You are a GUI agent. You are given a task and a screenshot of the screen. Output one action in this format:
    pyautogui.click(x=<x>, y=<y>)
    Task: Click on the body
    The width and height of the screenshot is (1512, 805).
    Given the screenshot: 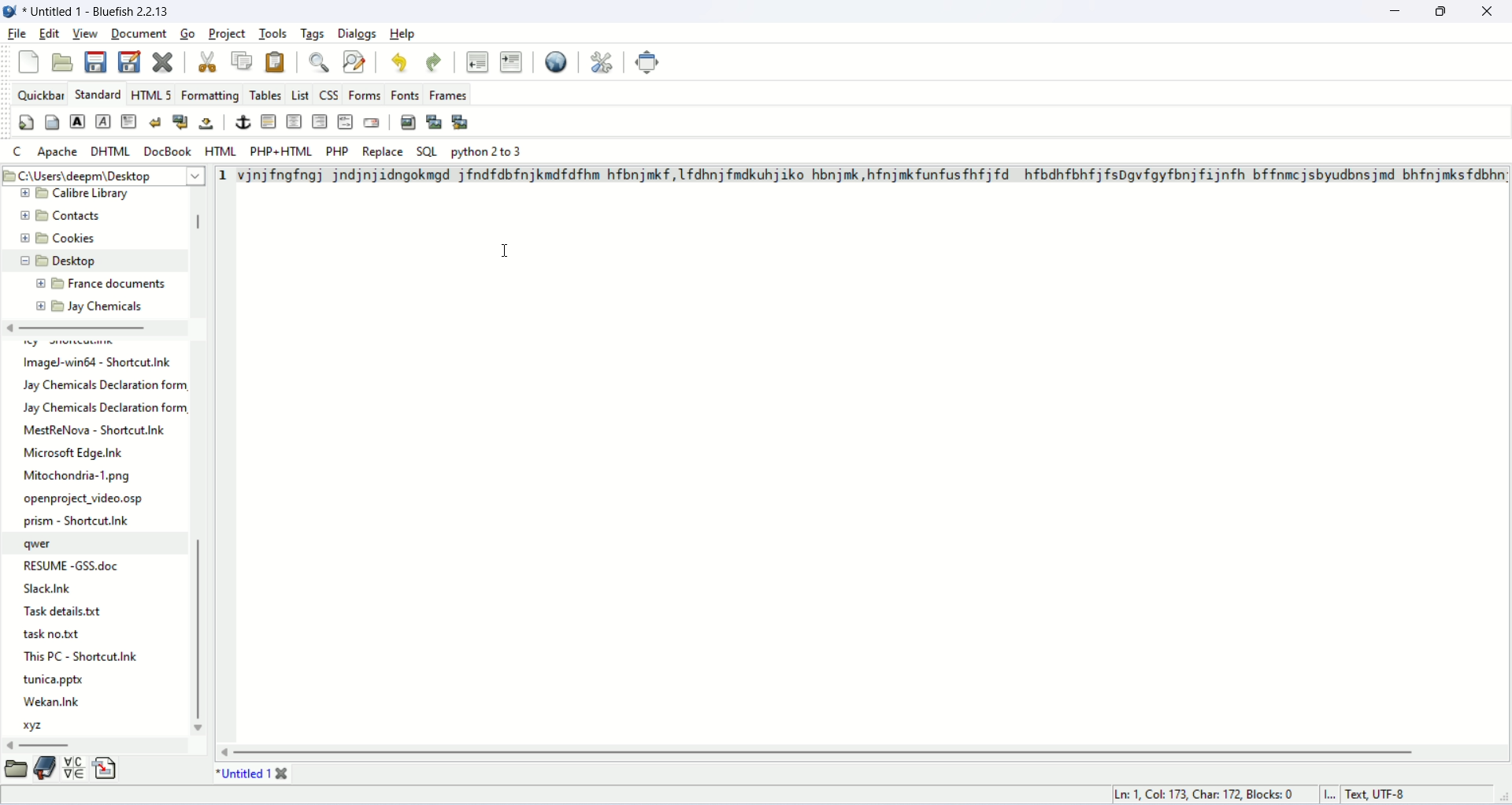 What is the action you would take?
    pyautogui.click(x=53, y=122)
    